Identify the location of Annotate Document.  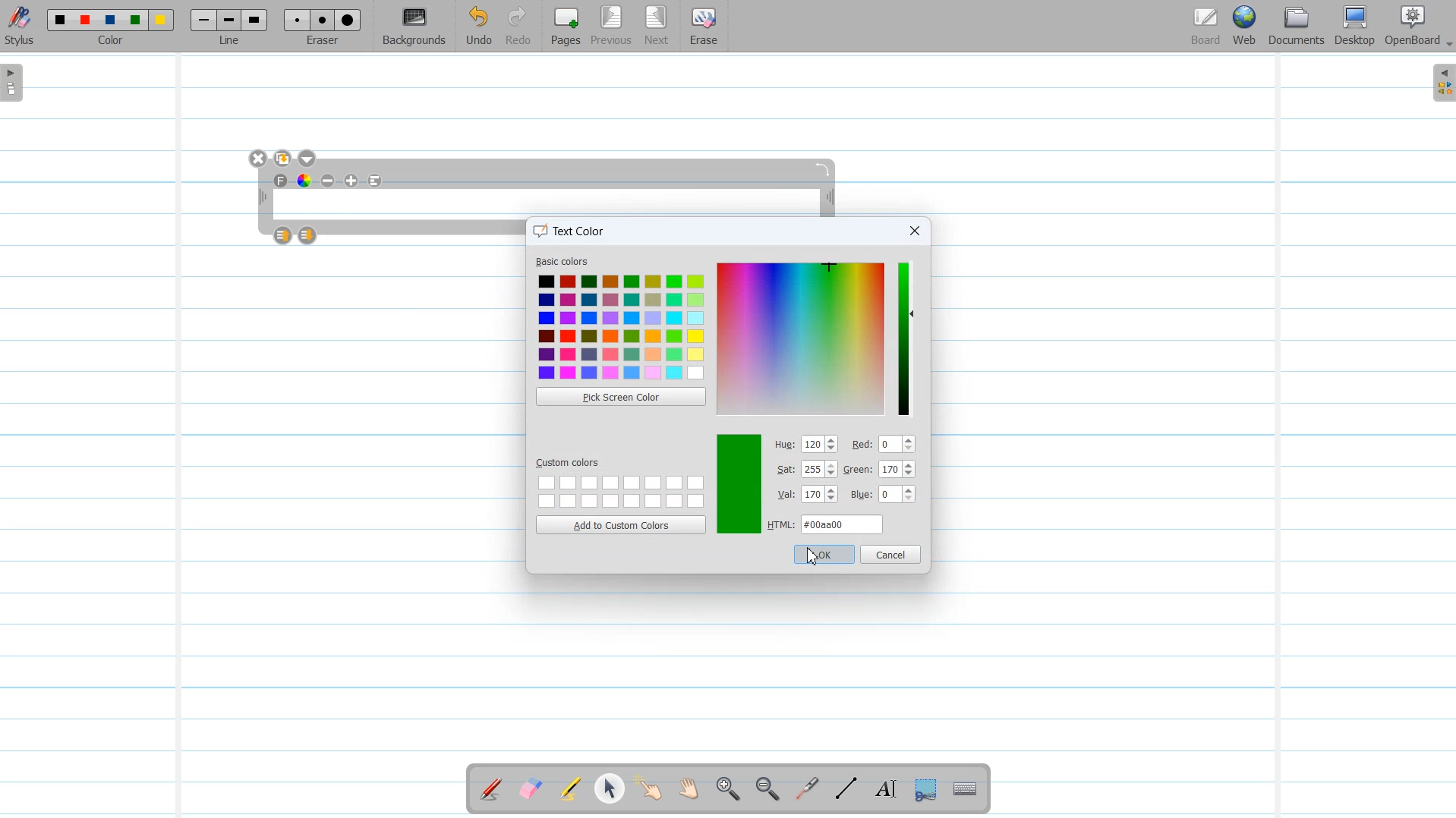
(491, 789).